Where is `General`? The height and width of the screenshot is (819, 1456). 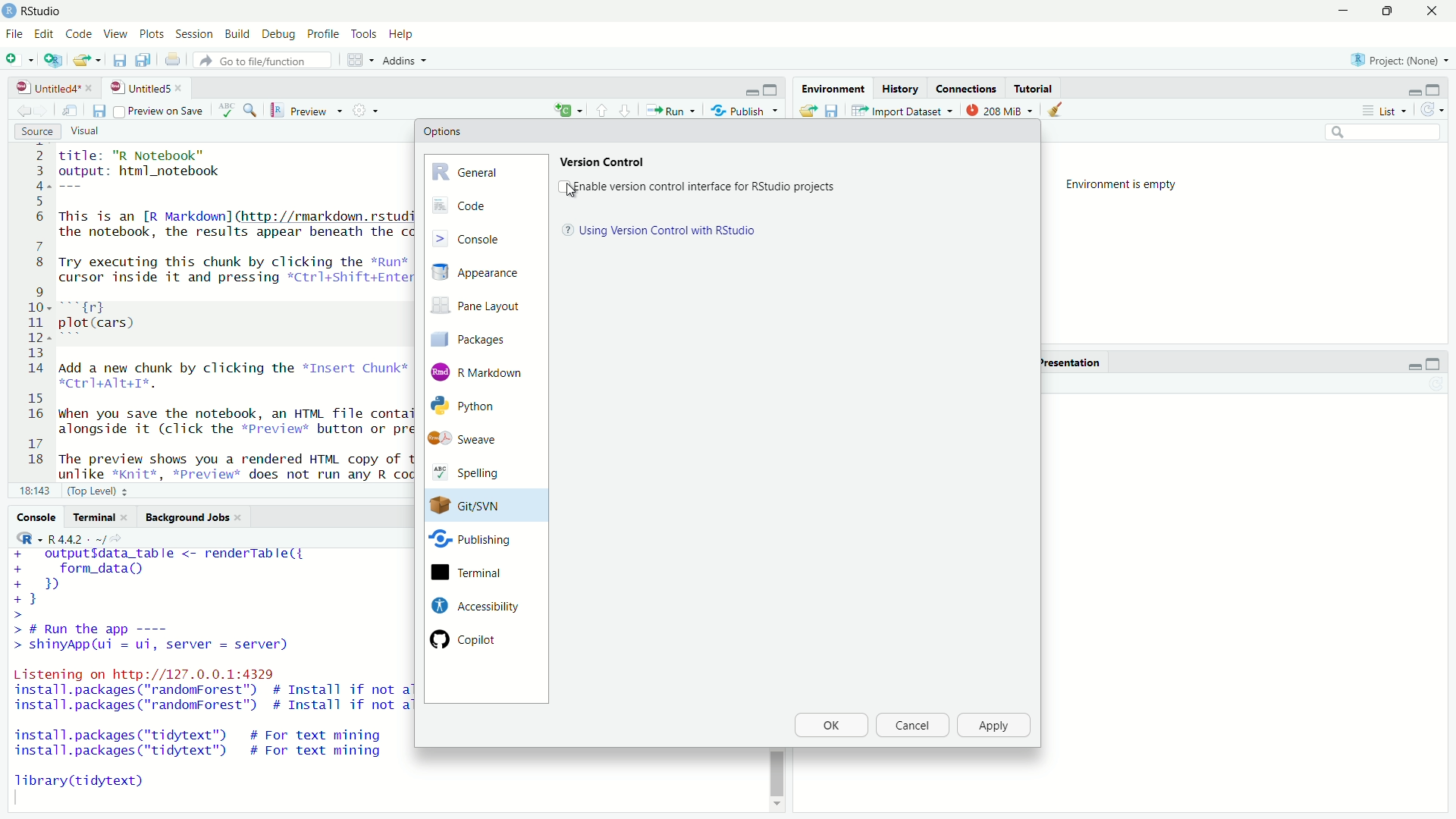
General is located at coordinates (485, 170).